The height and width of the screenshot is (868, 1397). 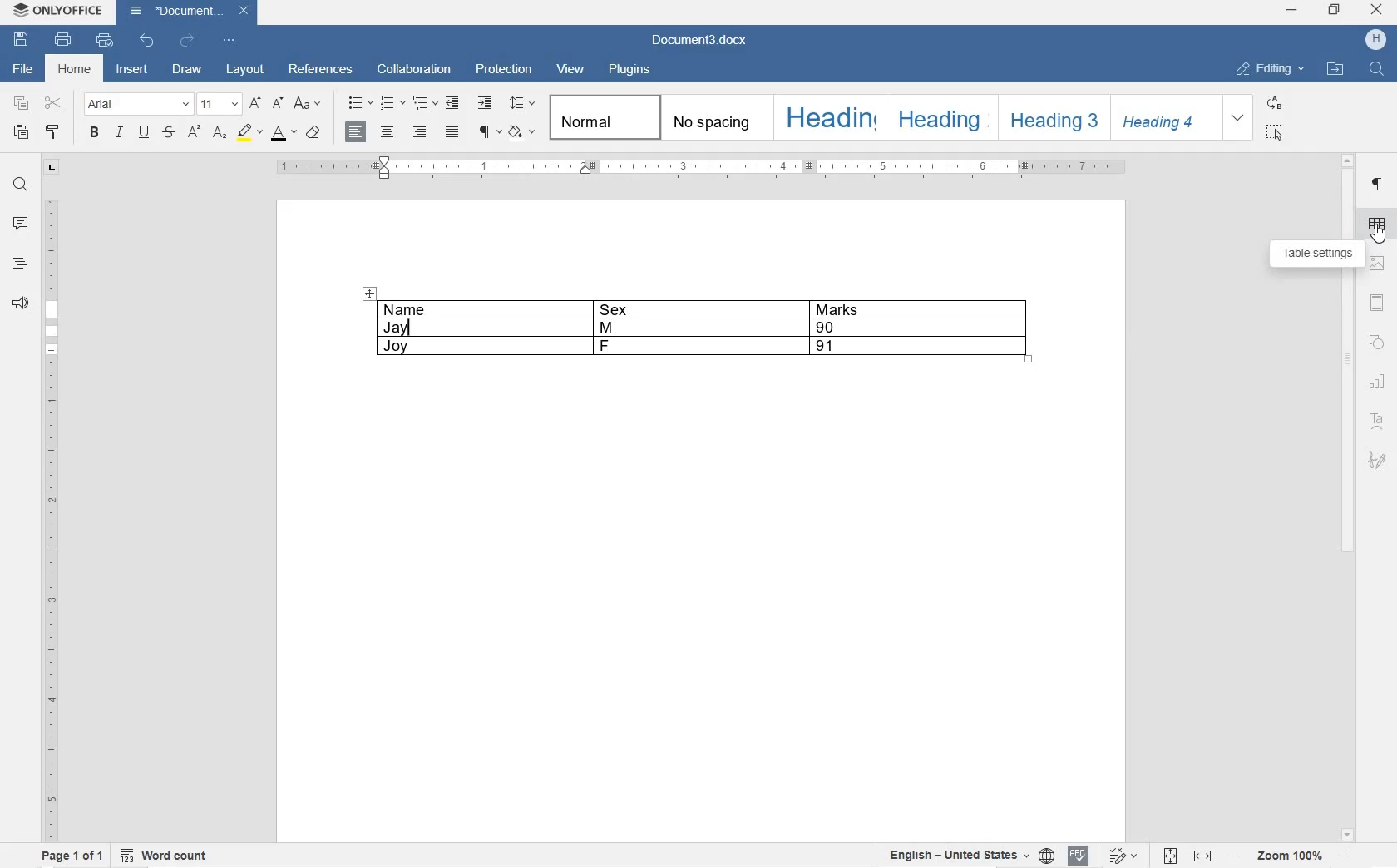 What do you see at coordinates (52, 131) in the screenshot?
I see `COPY STYLE` at bounding box center [52, 131].